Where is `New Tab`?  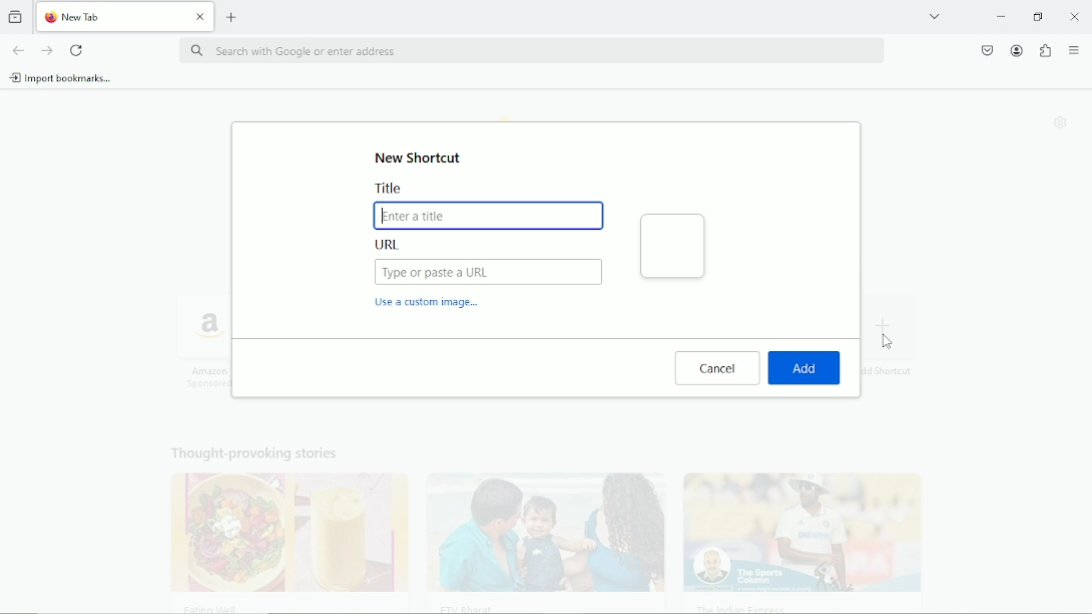
New Tab is located at coordinates (110, 17).